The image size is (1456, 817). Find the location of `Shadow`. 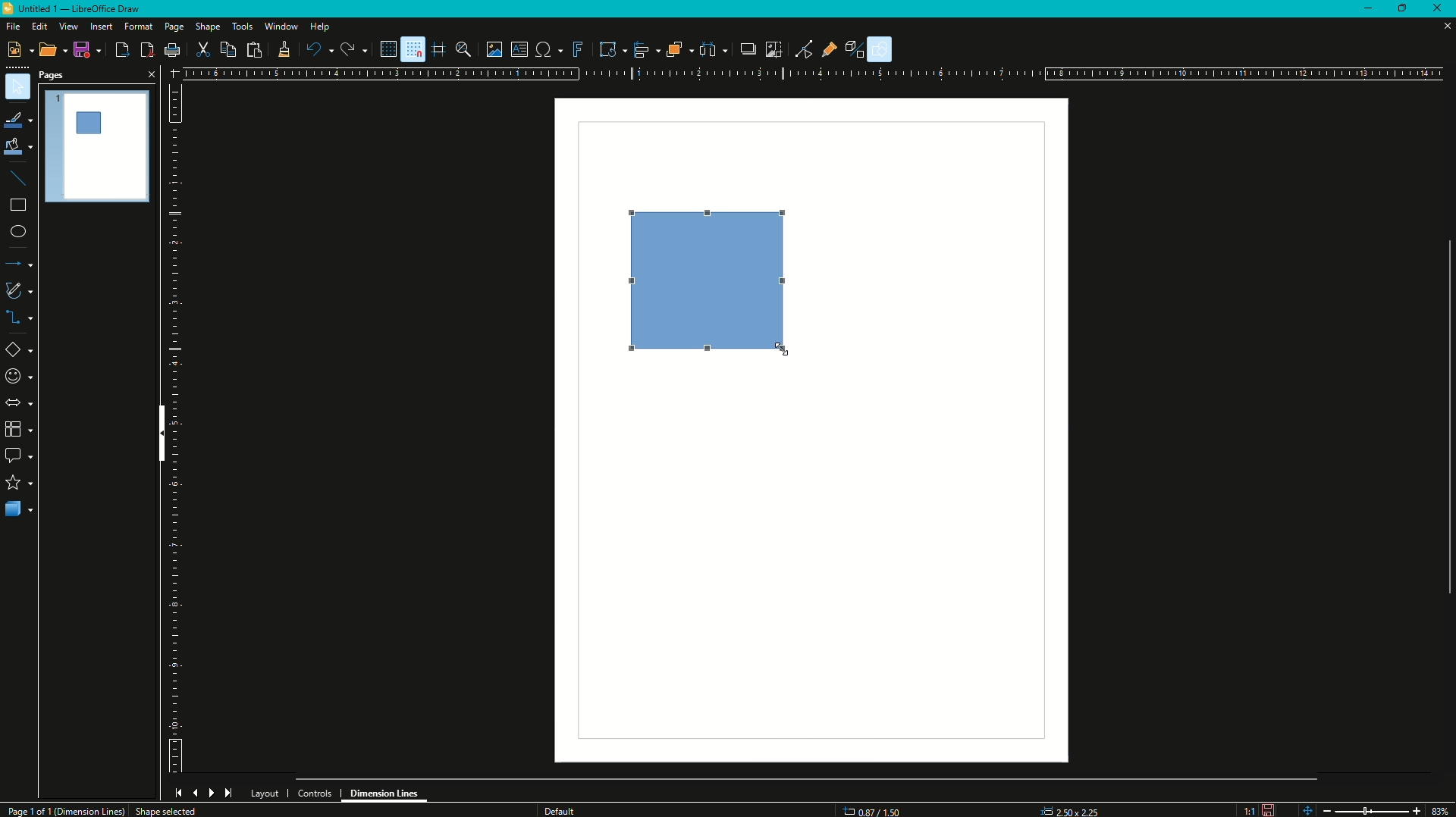

Shadow is located at coordinates (744, 49).